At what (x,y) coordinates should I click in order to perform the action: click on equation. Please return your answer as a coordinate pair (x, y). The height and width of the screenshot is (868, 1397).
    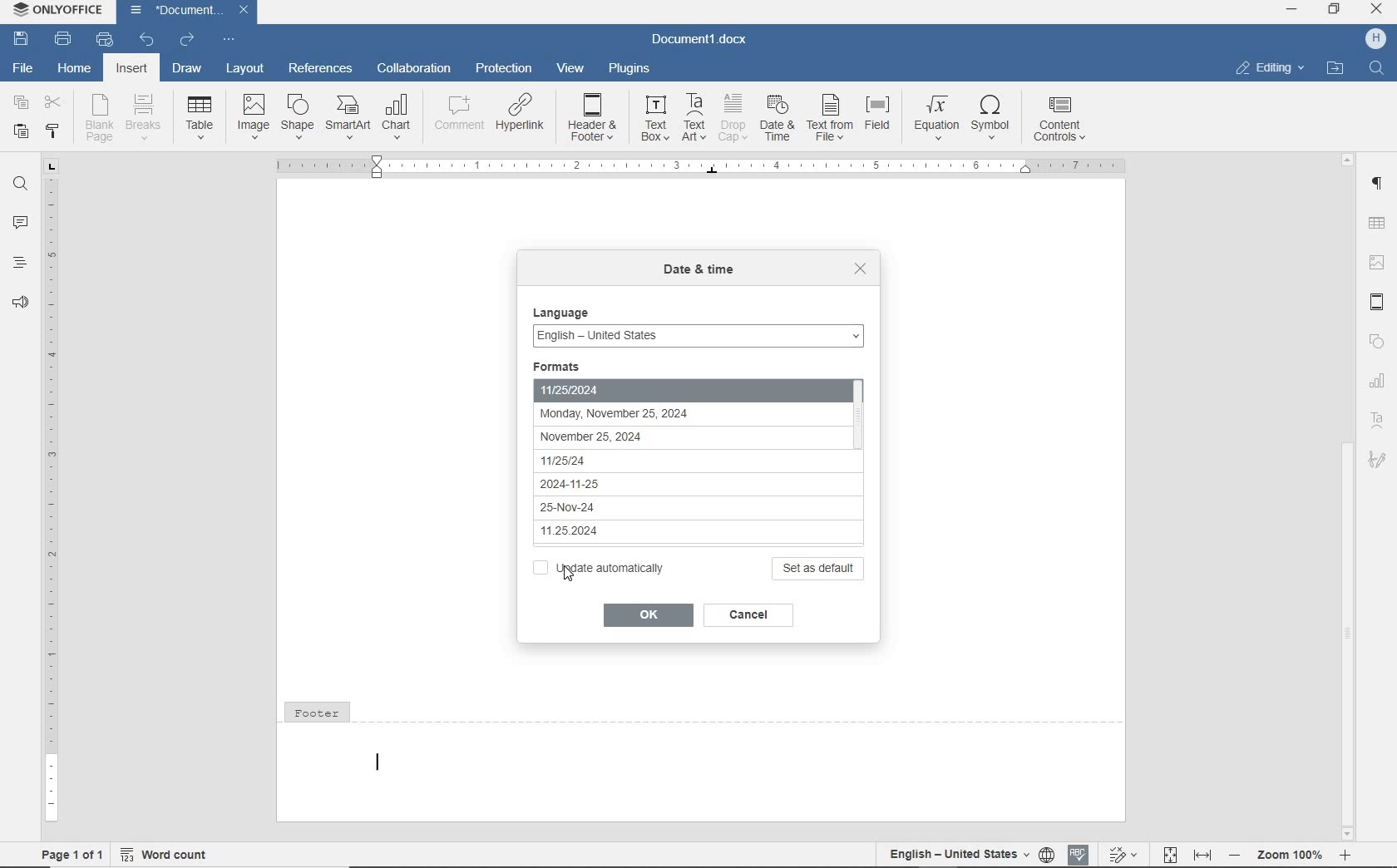
    Looking at the image, I should click on (937, 116).